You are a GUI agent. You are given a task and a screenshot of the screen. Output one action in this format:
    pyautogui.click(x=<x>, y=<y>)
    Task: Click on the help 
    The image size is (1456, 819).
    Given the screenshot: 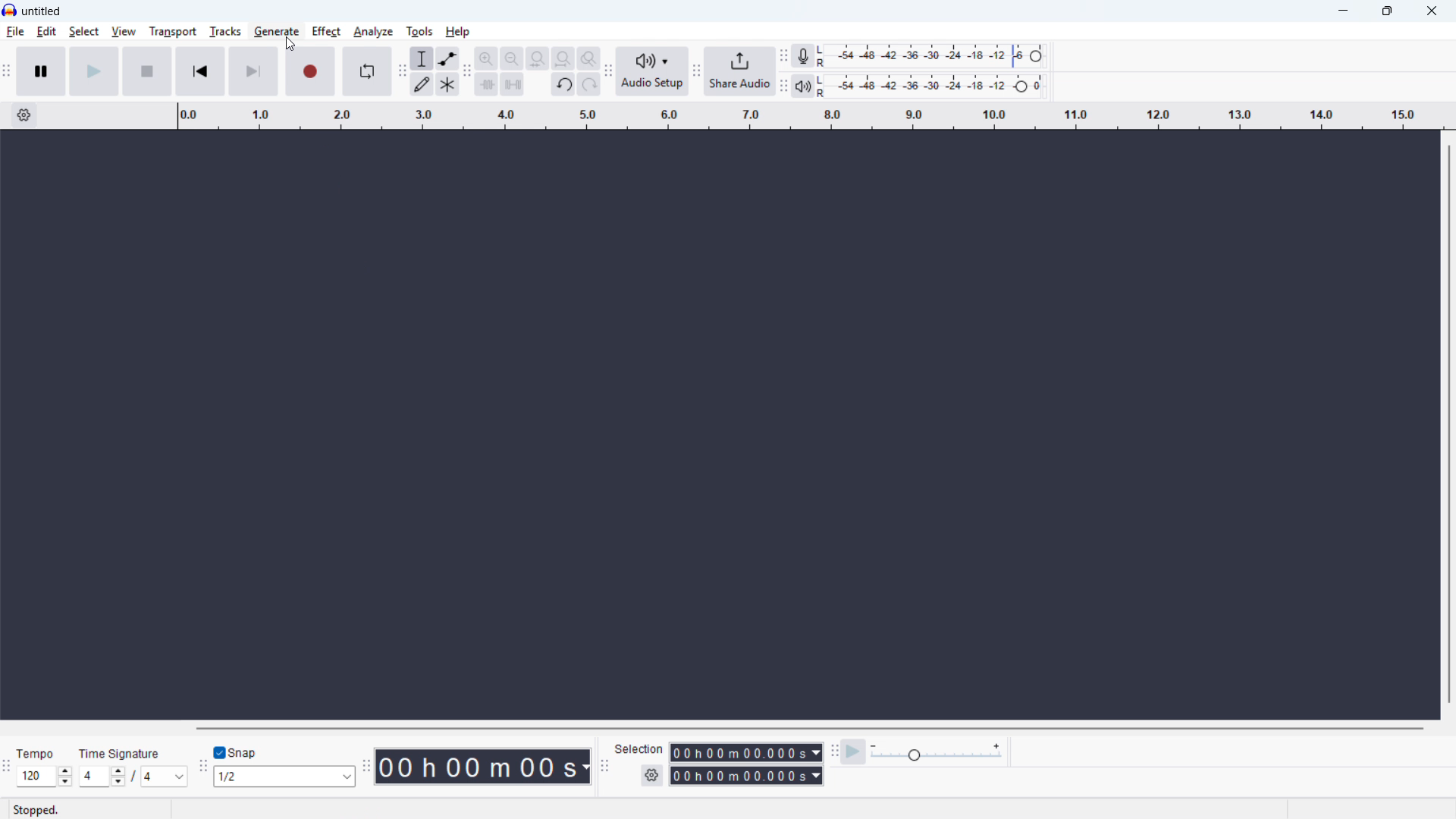 What is the action you would take?
    pyautogui.click(x=459, y=31)
    